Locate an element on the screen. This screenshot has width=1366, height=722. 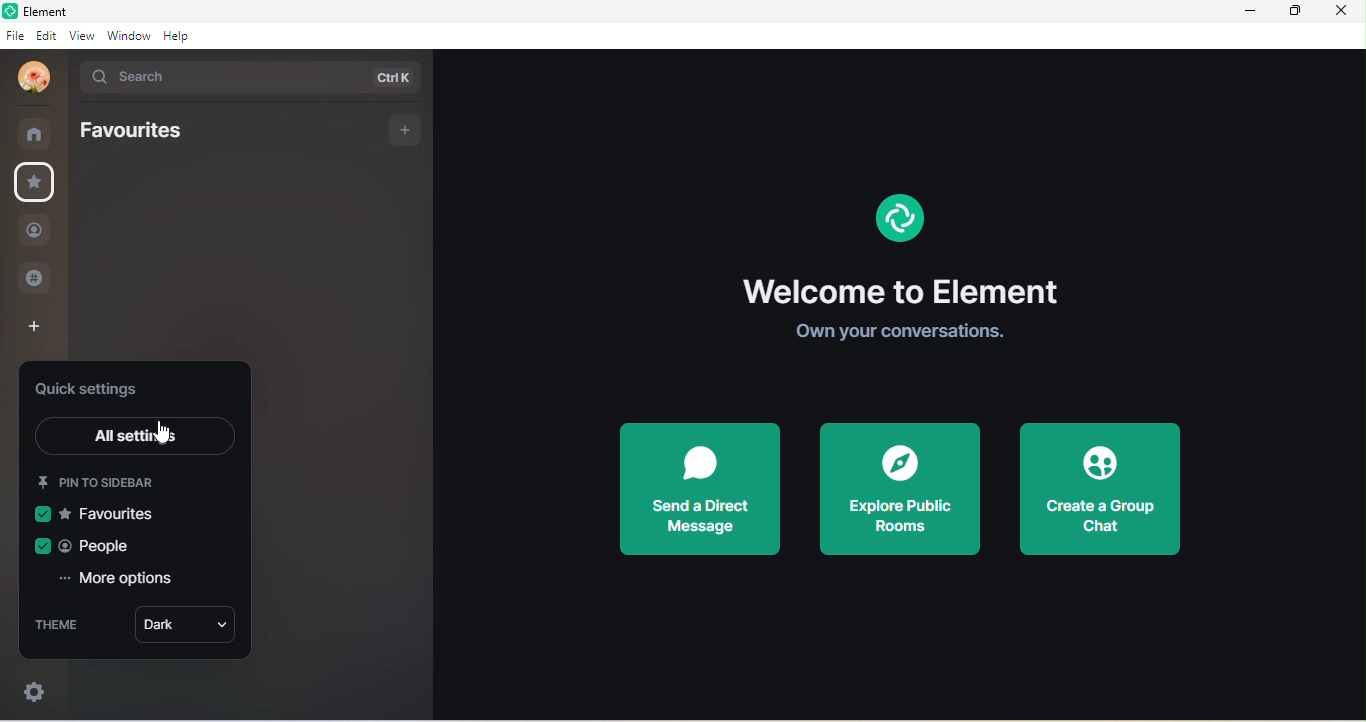
file is located at coordinates (16, 38).